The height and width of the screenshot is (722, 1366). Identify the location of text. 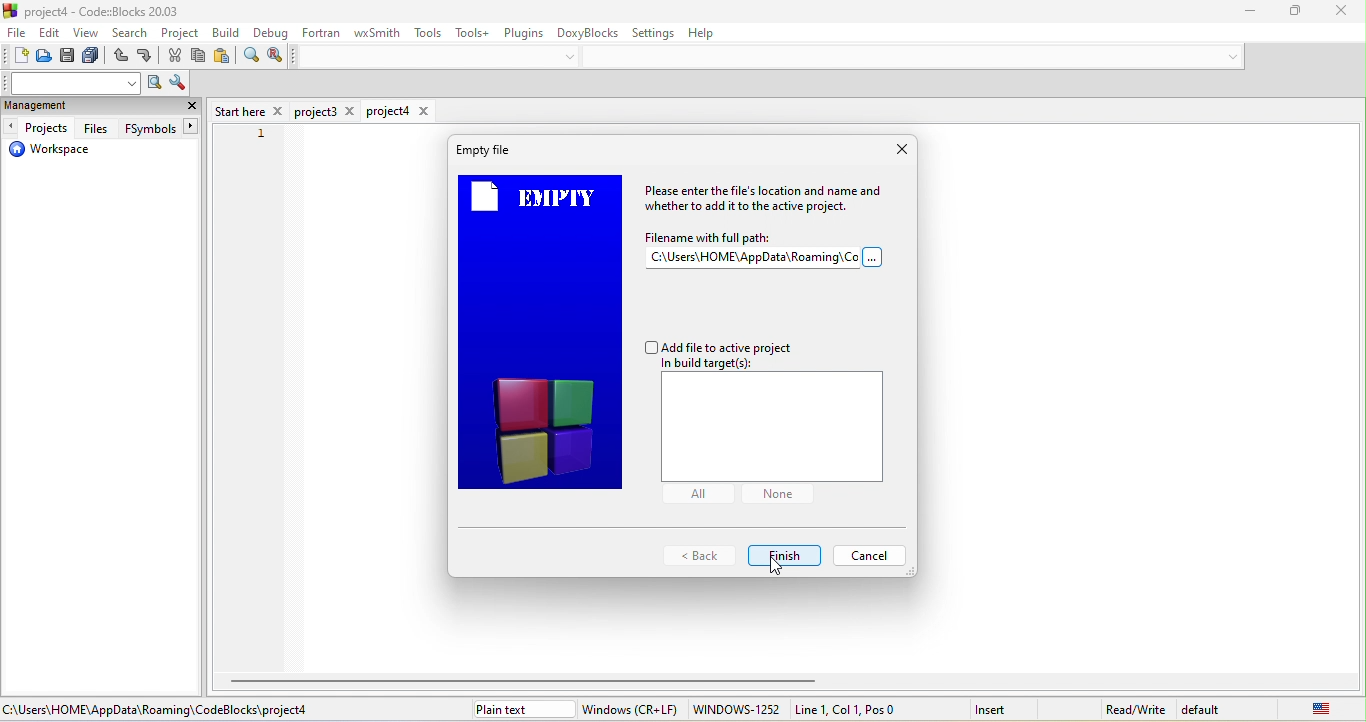
(769, 199).